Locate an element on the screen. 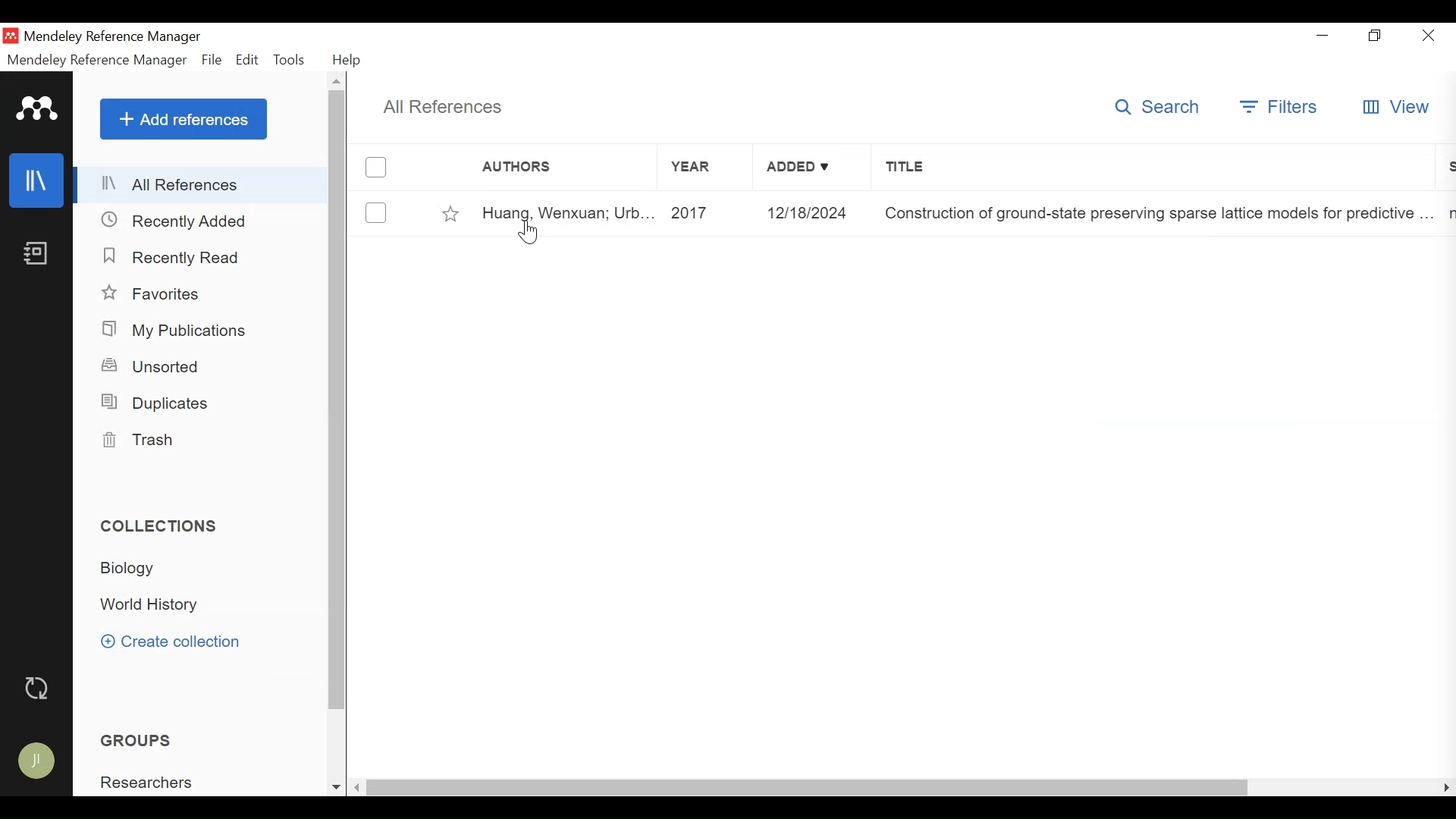  Group is located at coordinates (149, 783).